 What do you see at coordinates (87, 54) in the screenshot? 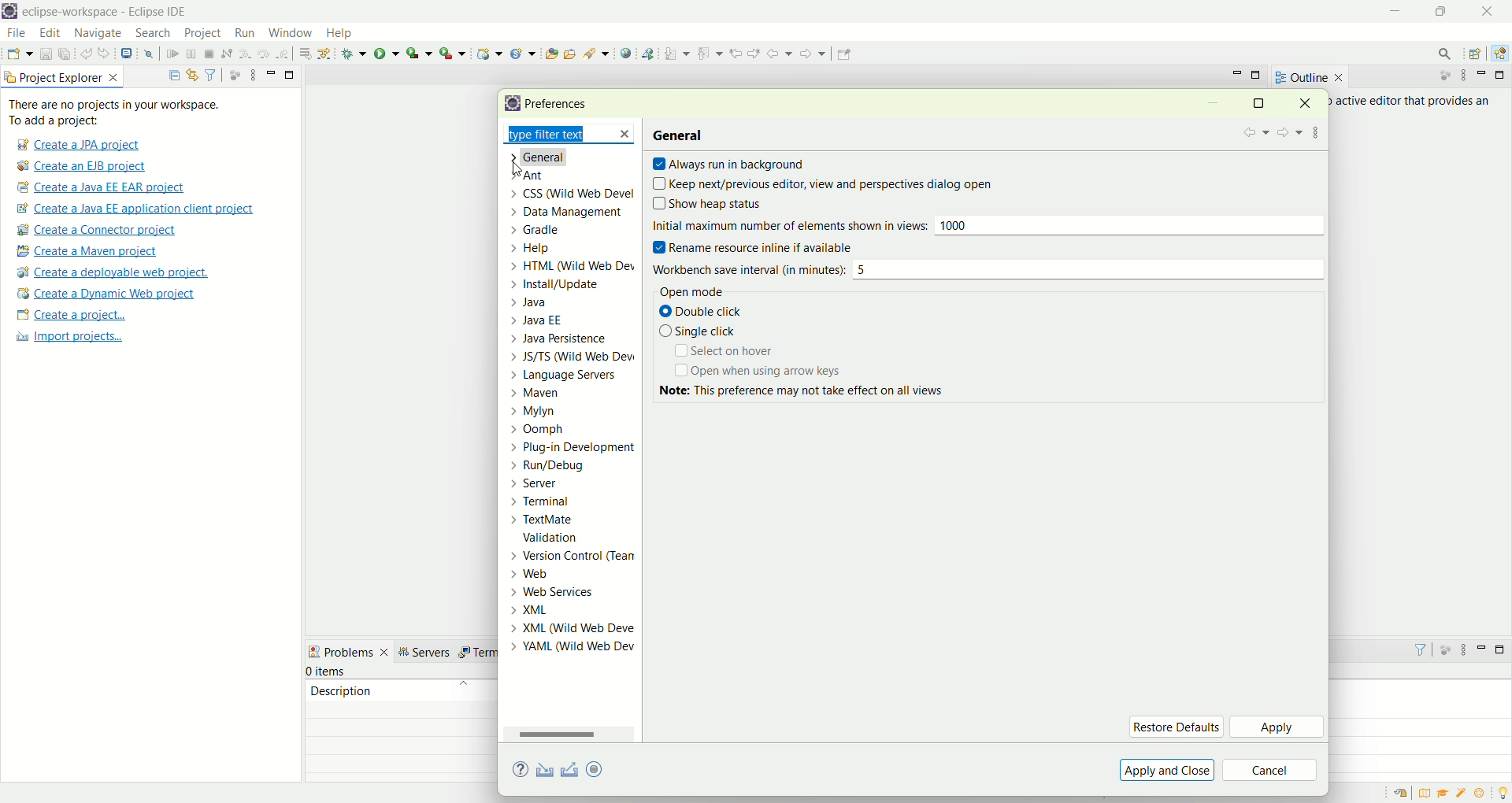
I see `undo` at bounding box center [87, 54].